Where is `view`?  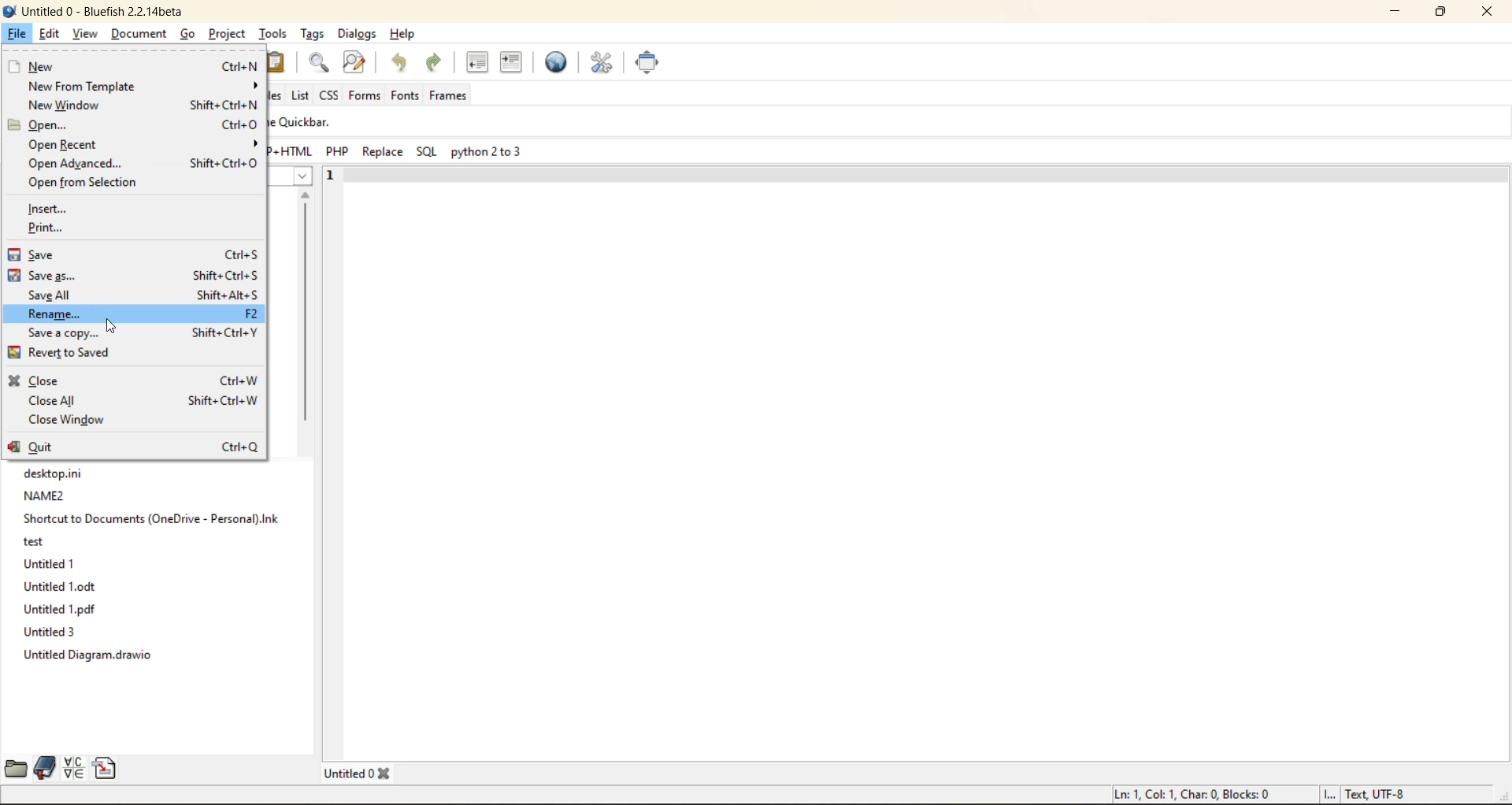
view is located at coordinates (83, 32).